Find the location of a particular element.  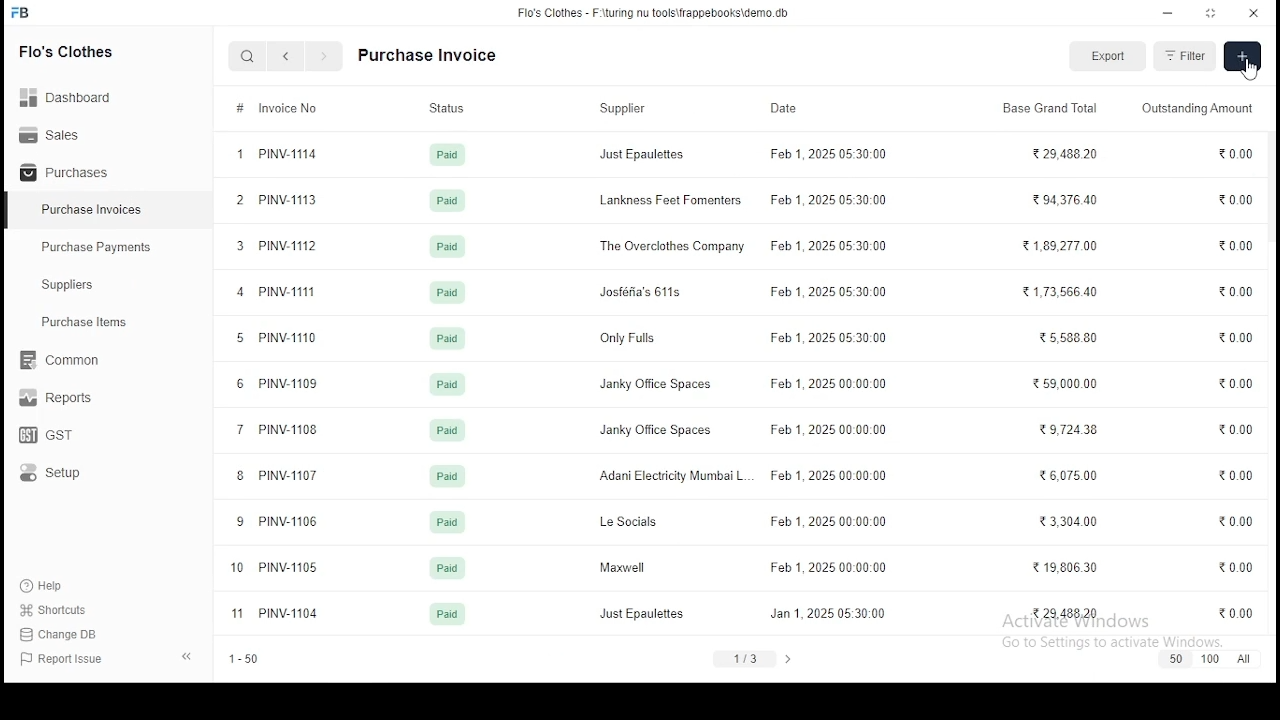

10 is located at coordinates (238, 568).